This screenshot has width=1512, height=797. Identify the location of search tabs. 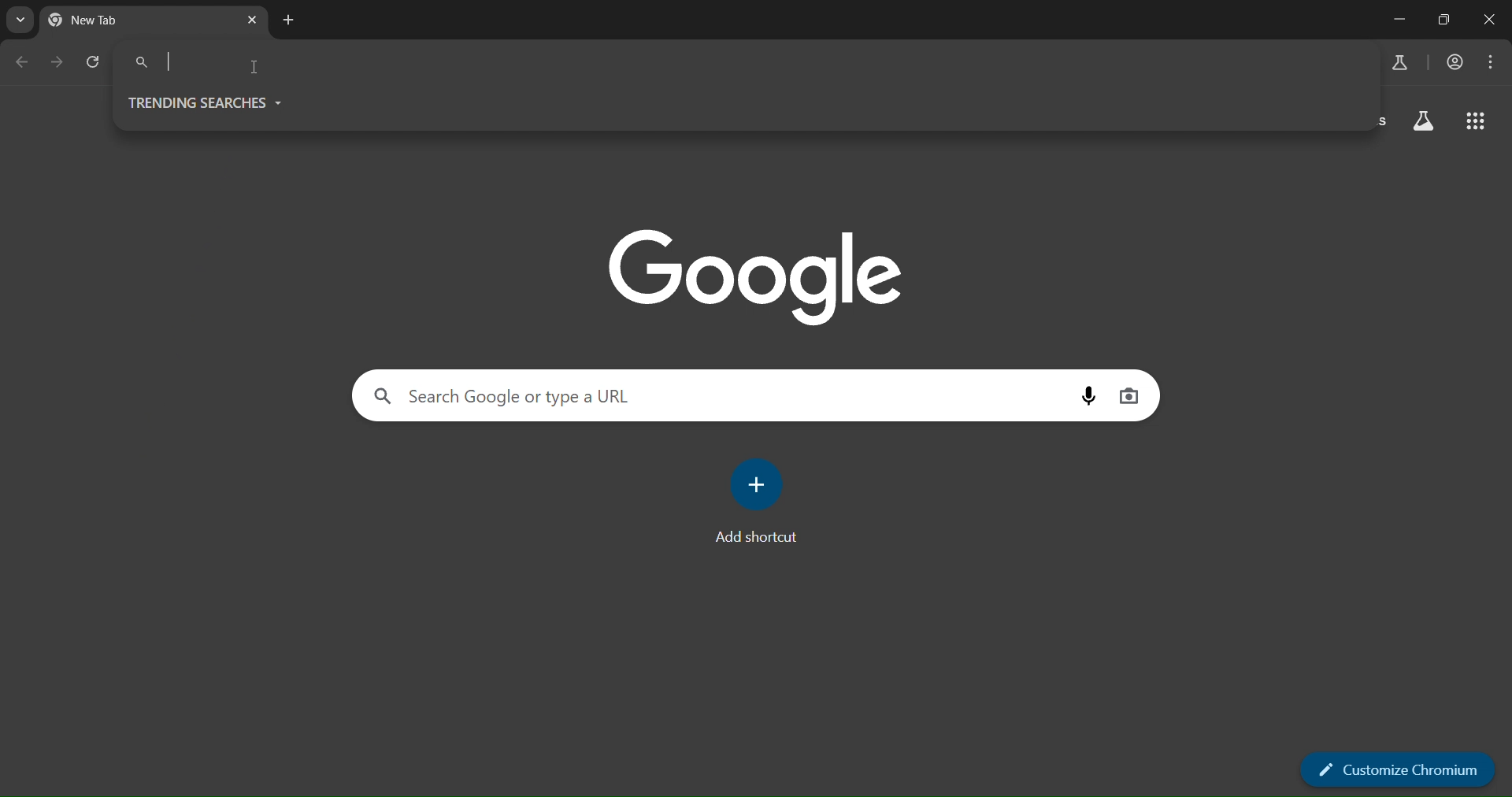
(20, 23).